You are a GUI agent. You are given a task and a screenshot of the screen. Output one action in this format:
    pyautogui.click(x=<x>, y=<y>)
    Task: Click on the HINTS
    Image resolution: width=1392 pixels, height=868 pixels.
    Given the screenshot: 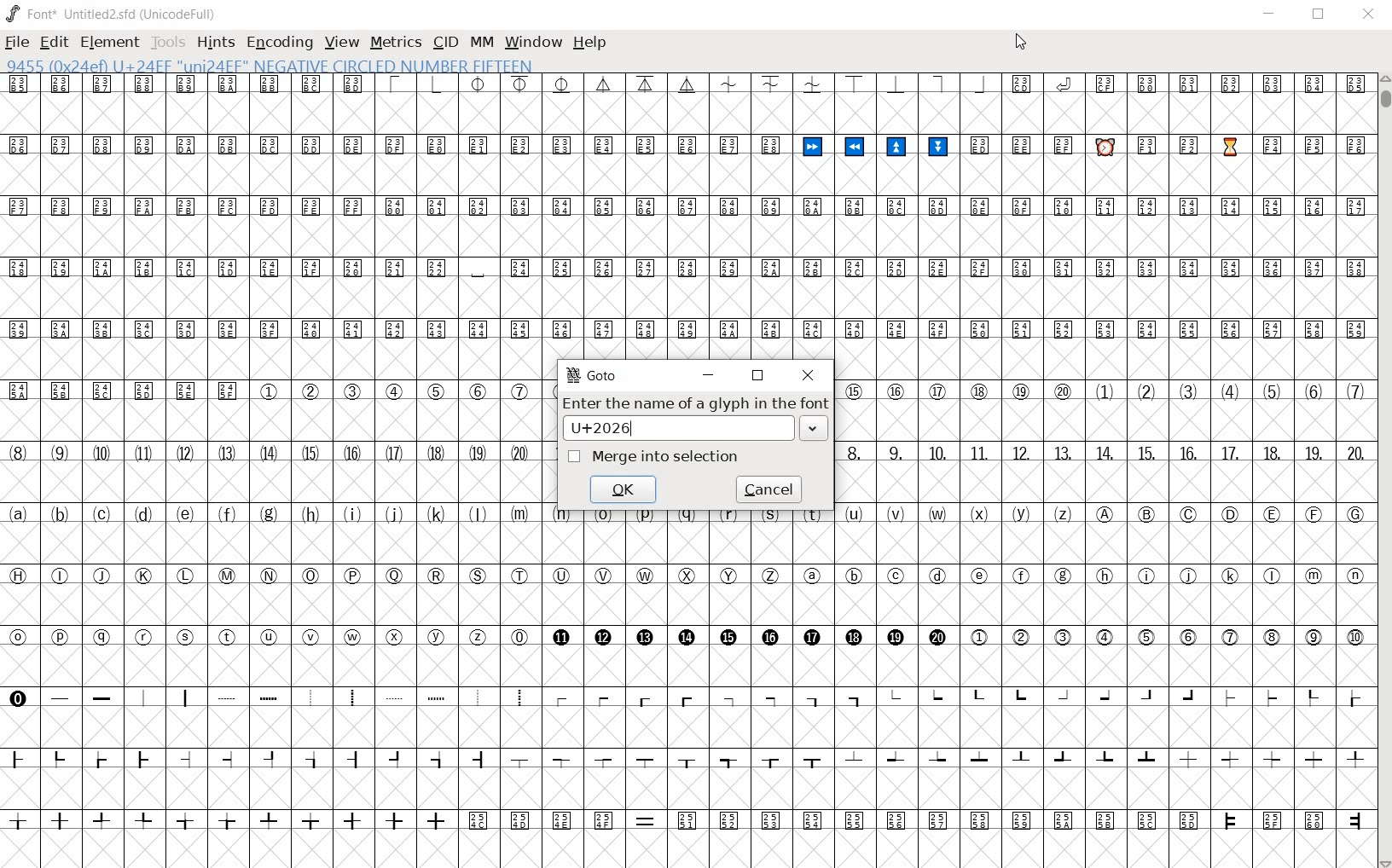 What is the action you would take?
    pyautogui.click(x=214, y=44)
    